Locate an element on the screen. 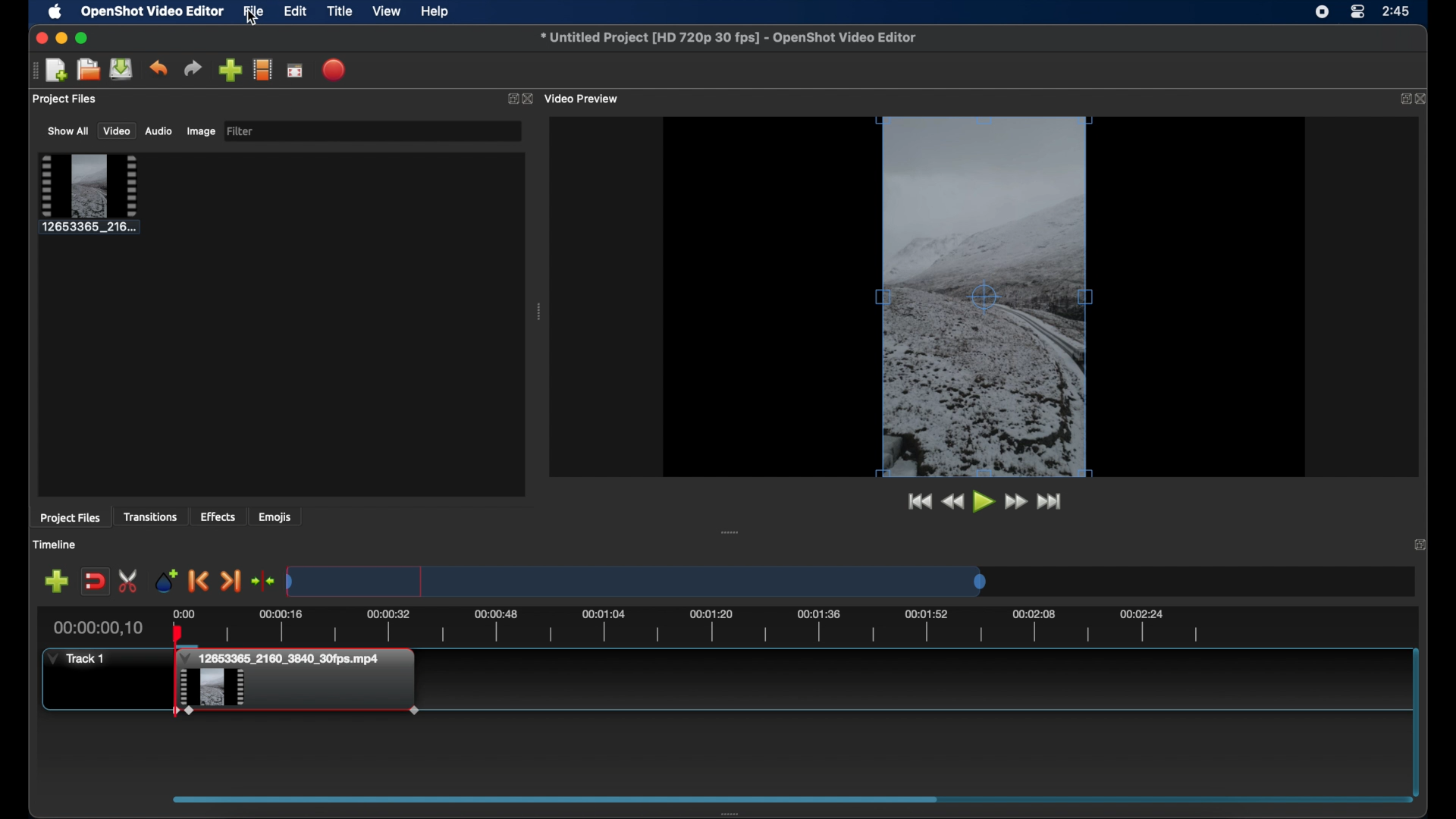  open project is located at coordinates (89, 69).